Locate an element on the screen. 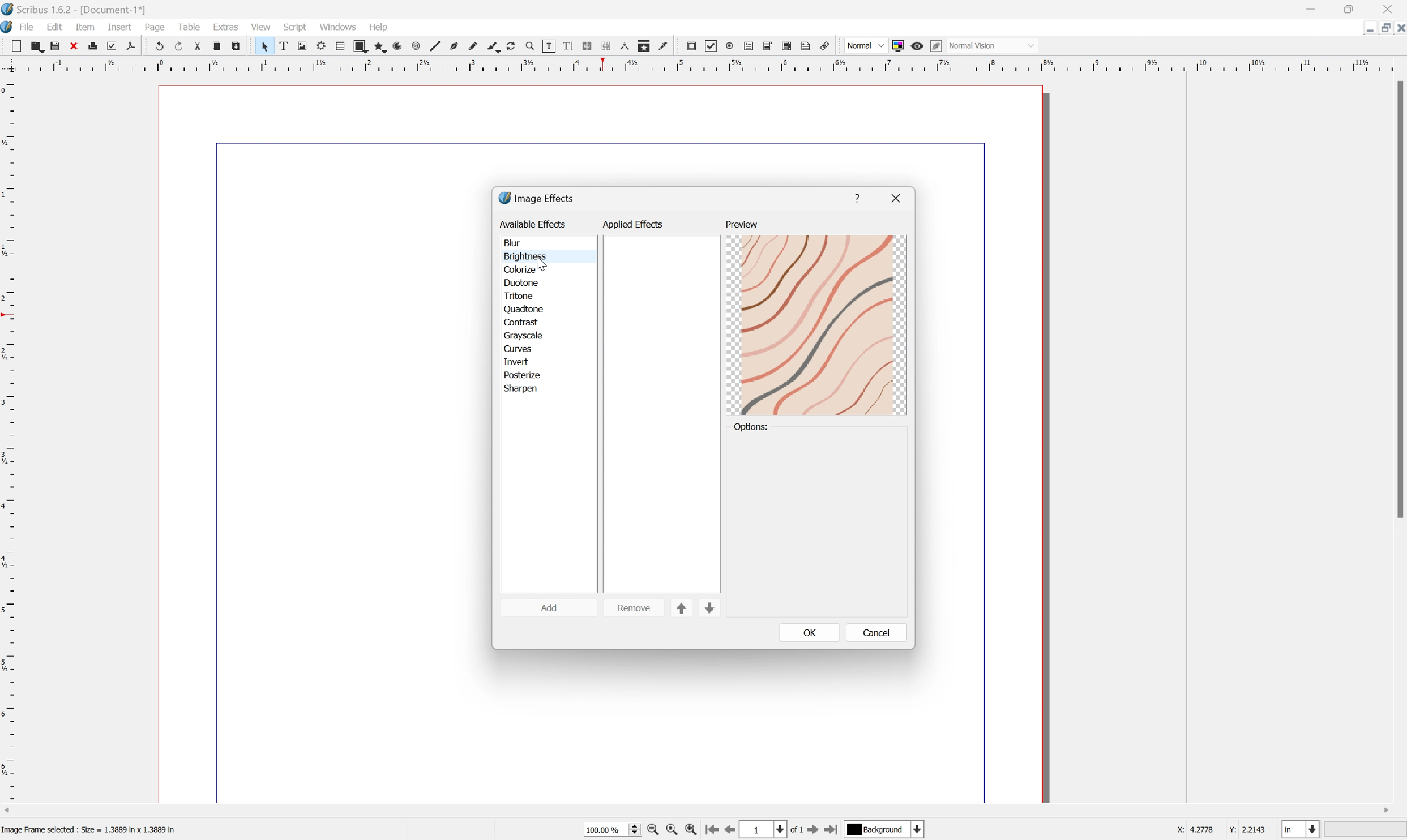 The height and width of the screenshot is (840, 1407). Line is located at coordinates (438, 44).